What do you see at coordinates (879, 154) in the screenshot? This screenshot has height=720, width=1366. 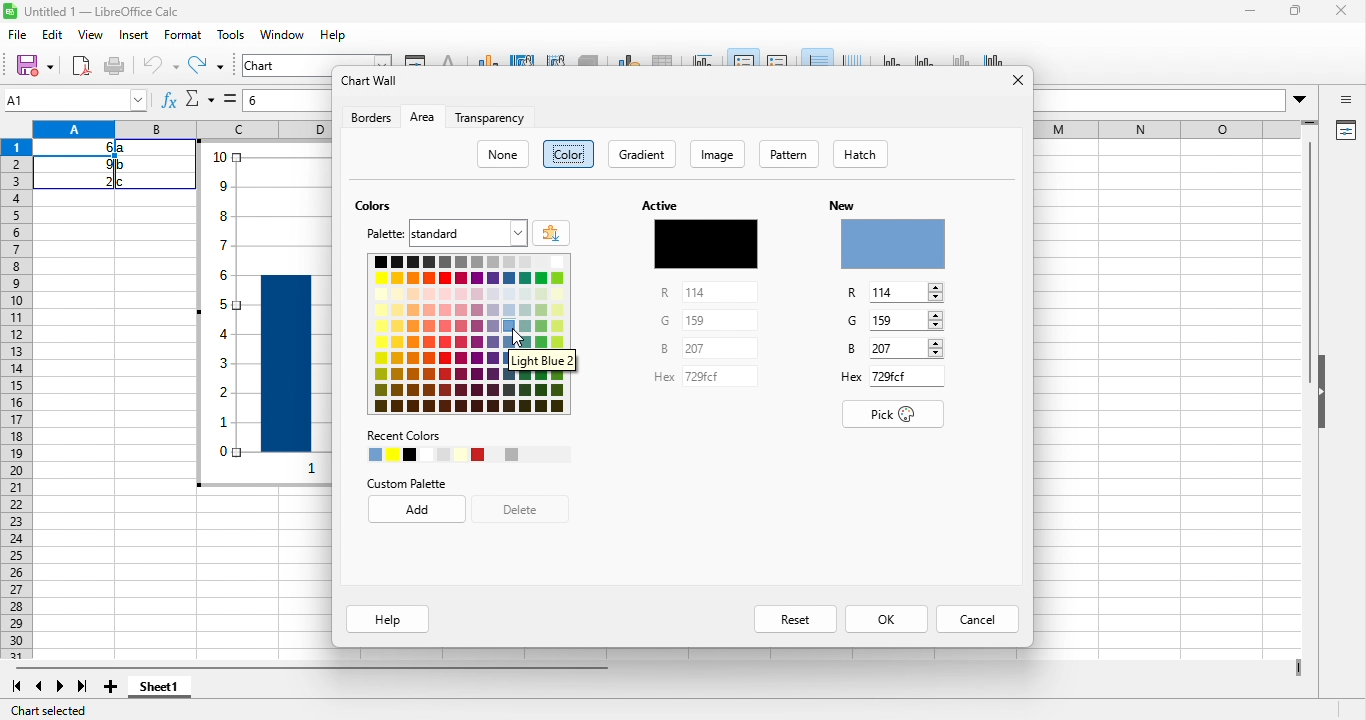 I see `hatch` at bounding box center [879, 154].